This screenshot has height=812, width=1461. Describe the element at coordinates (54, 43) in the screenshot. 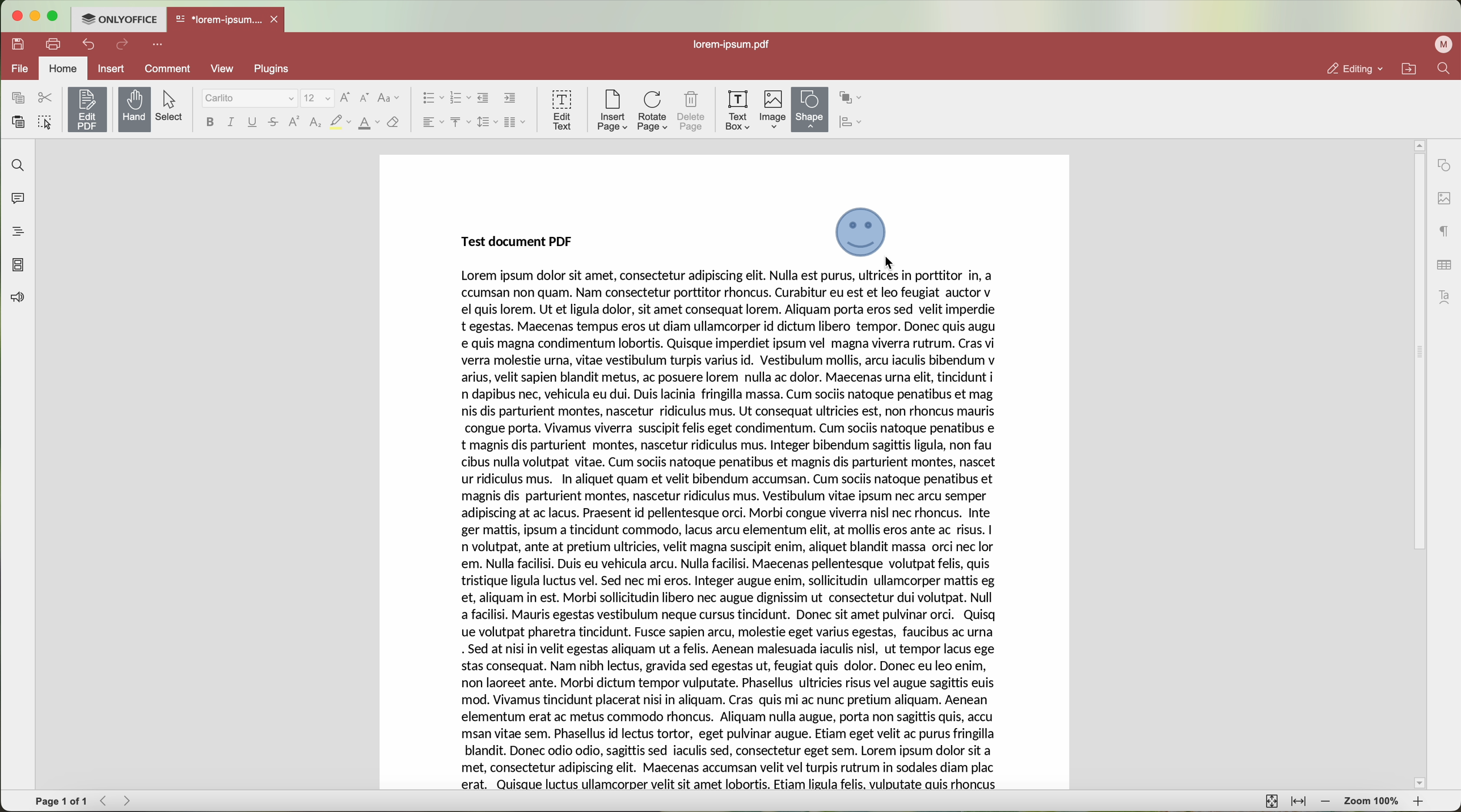

I see `print` at that location.